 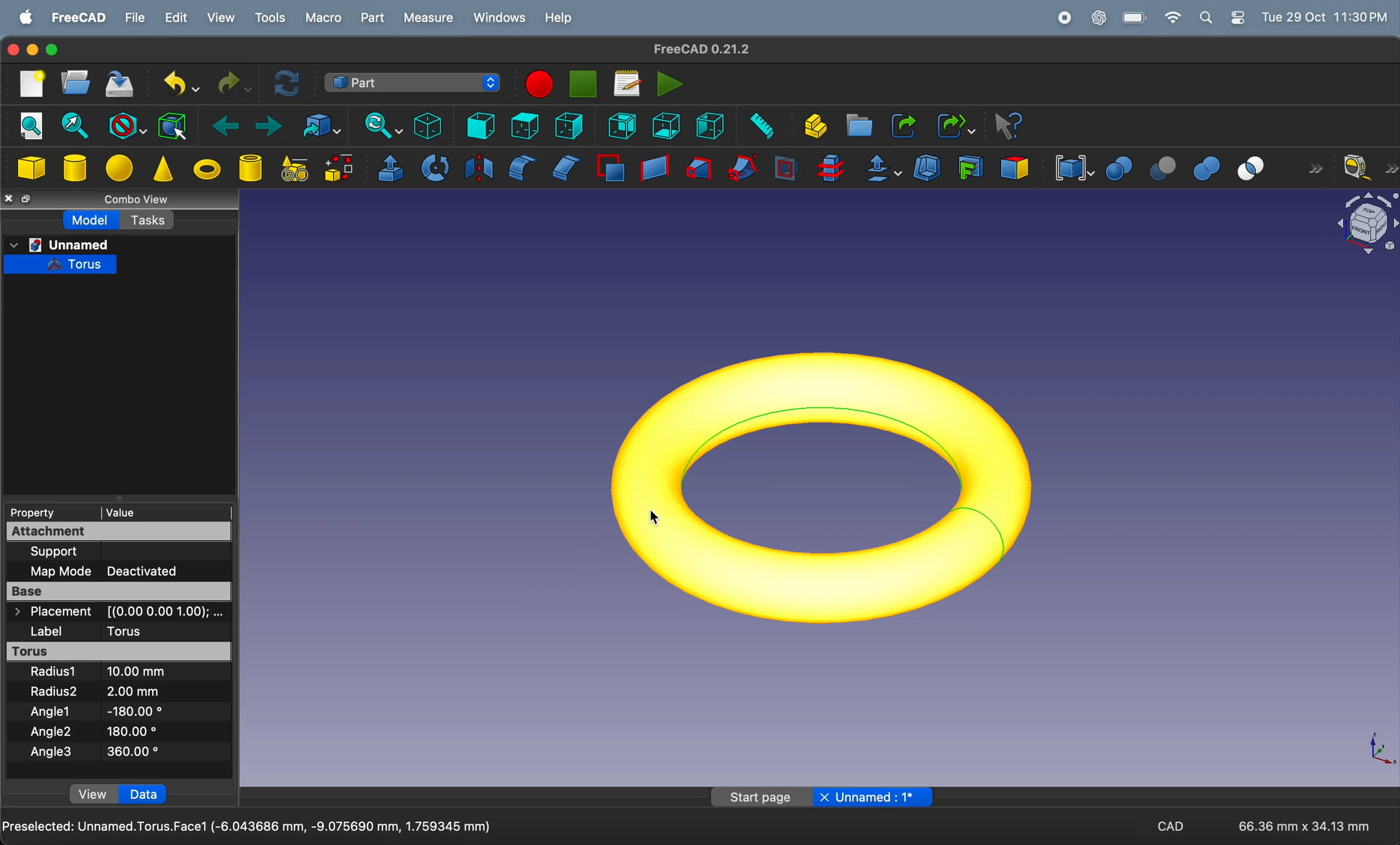 I want to click on undo, so click(x=181, y=84).